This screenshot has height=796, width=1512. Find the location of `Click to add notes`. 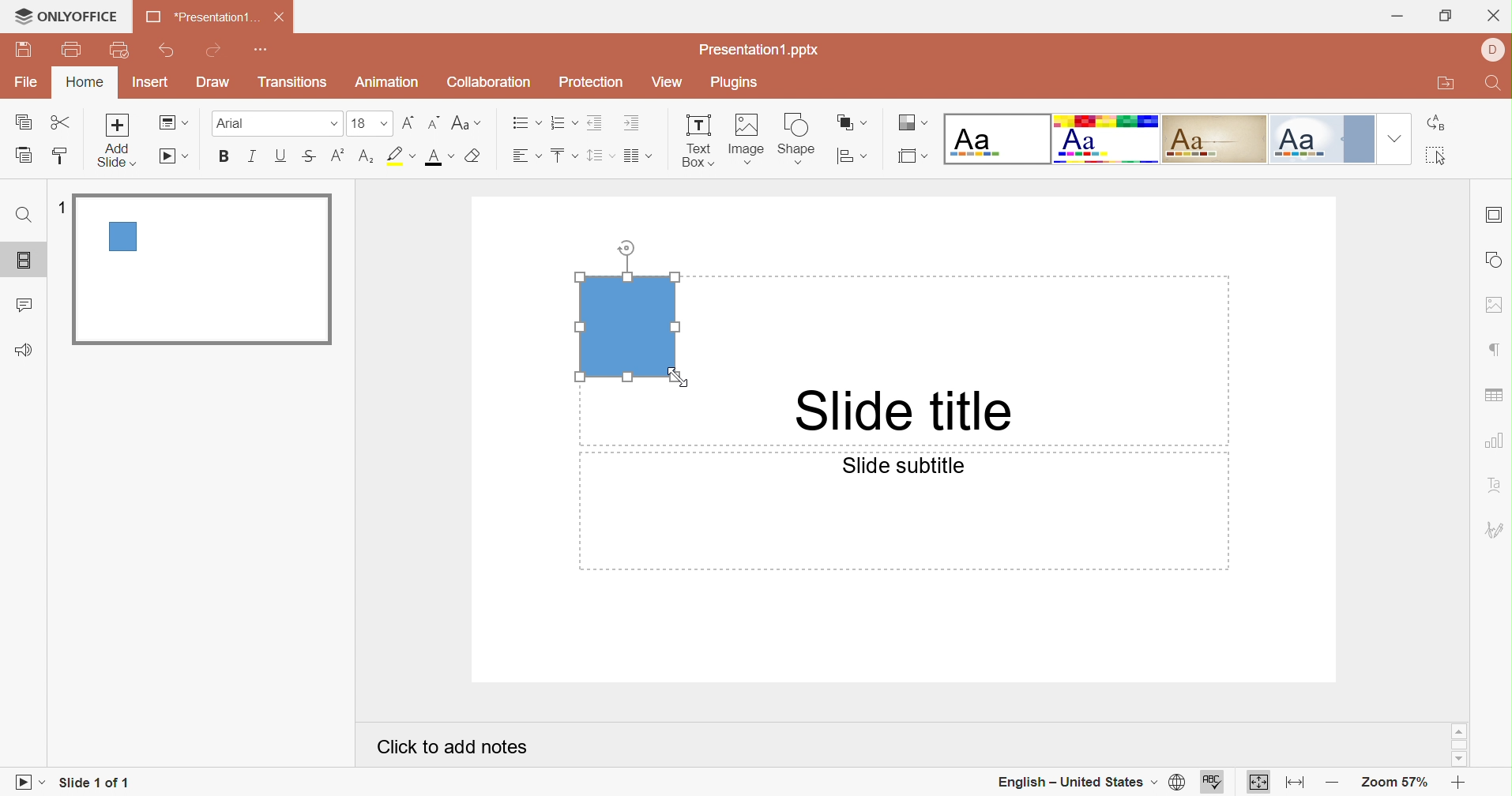

Click to add notes is located at coordinates (452, 747).